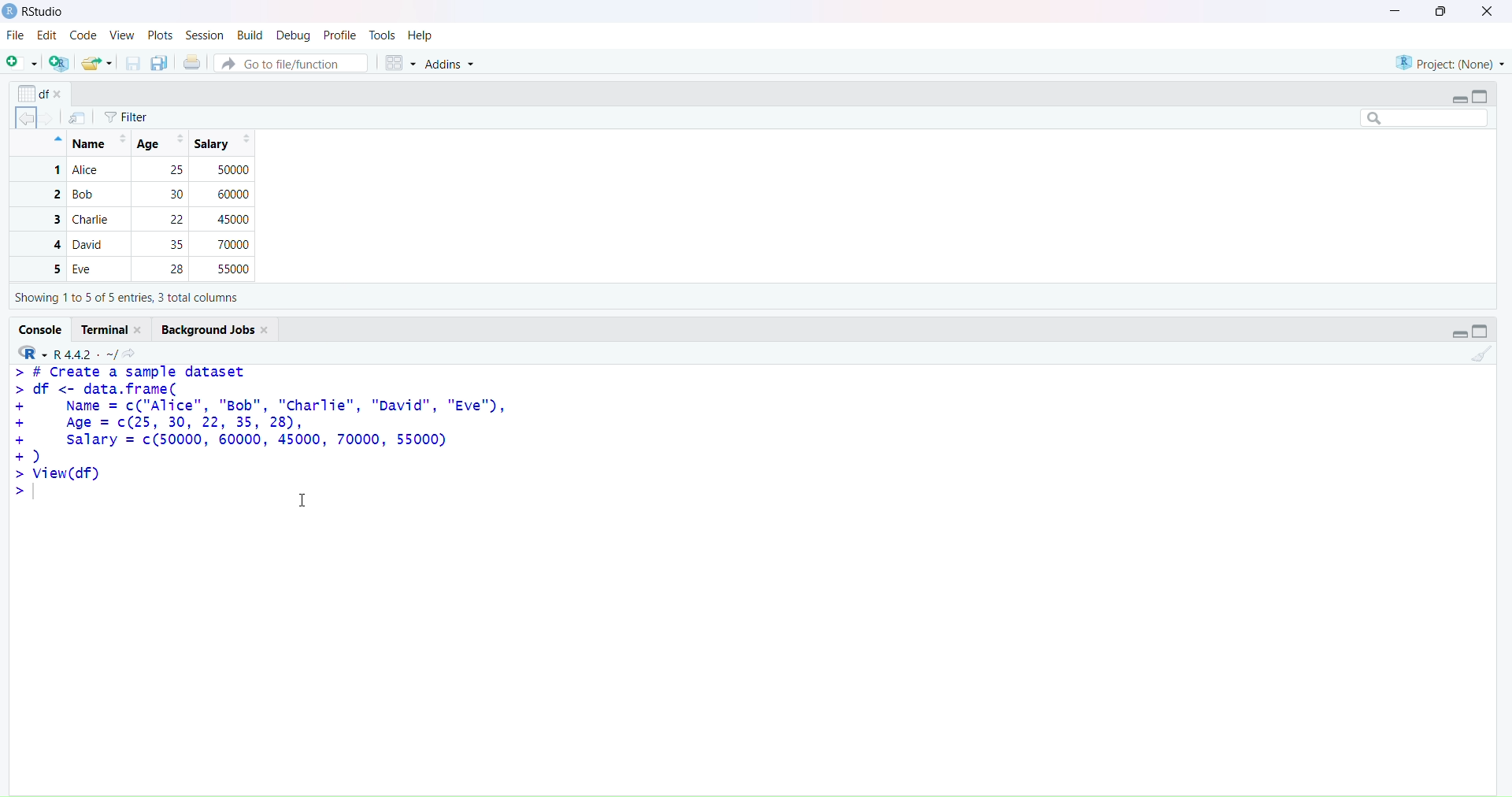 The height and width of the screenshot is (797, 1512). I want to click on terminal, so click(113, 328).